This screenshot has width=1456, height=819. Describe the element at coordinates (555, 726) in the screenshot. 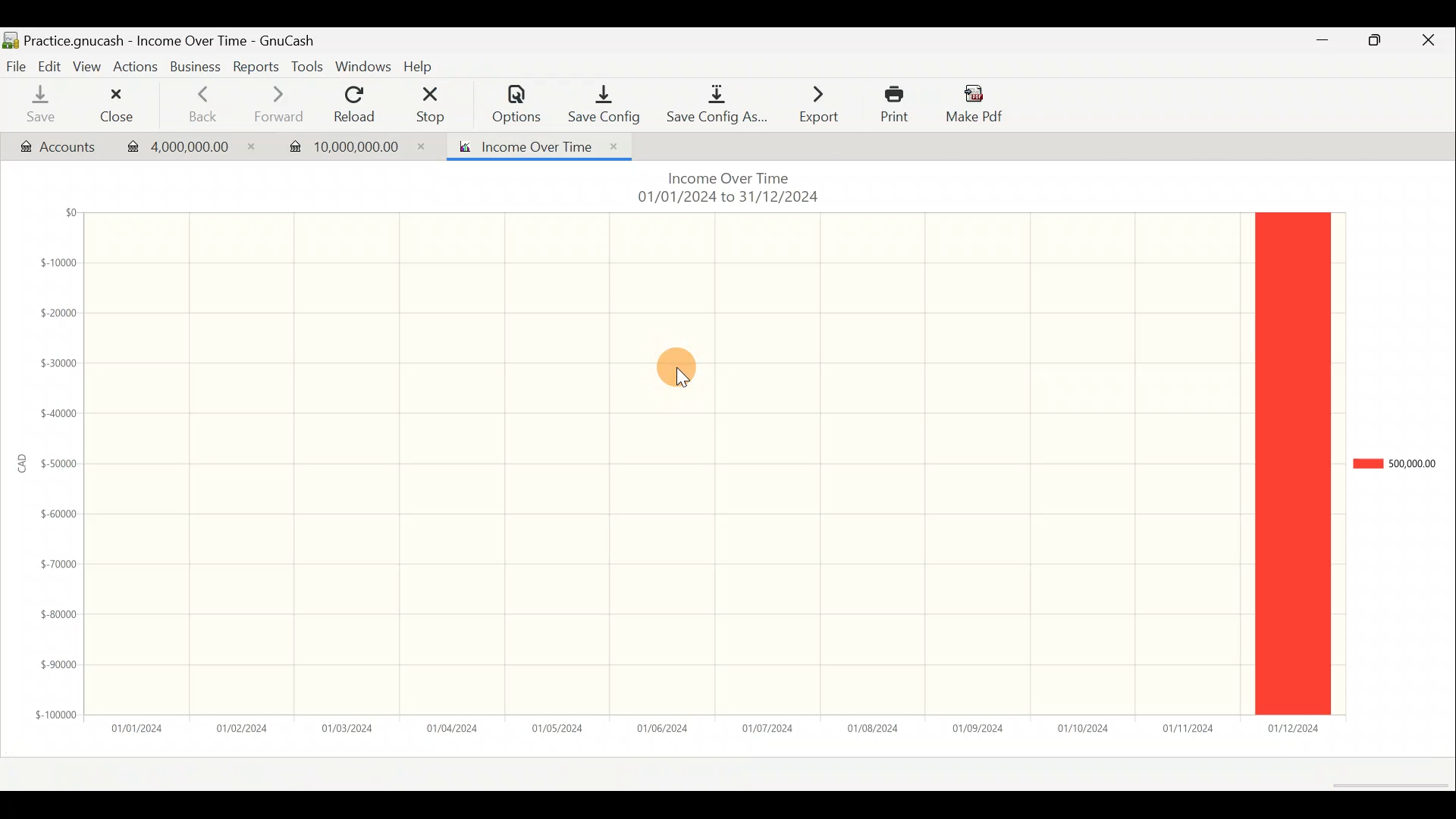

I see `01/05/2024` at that location.